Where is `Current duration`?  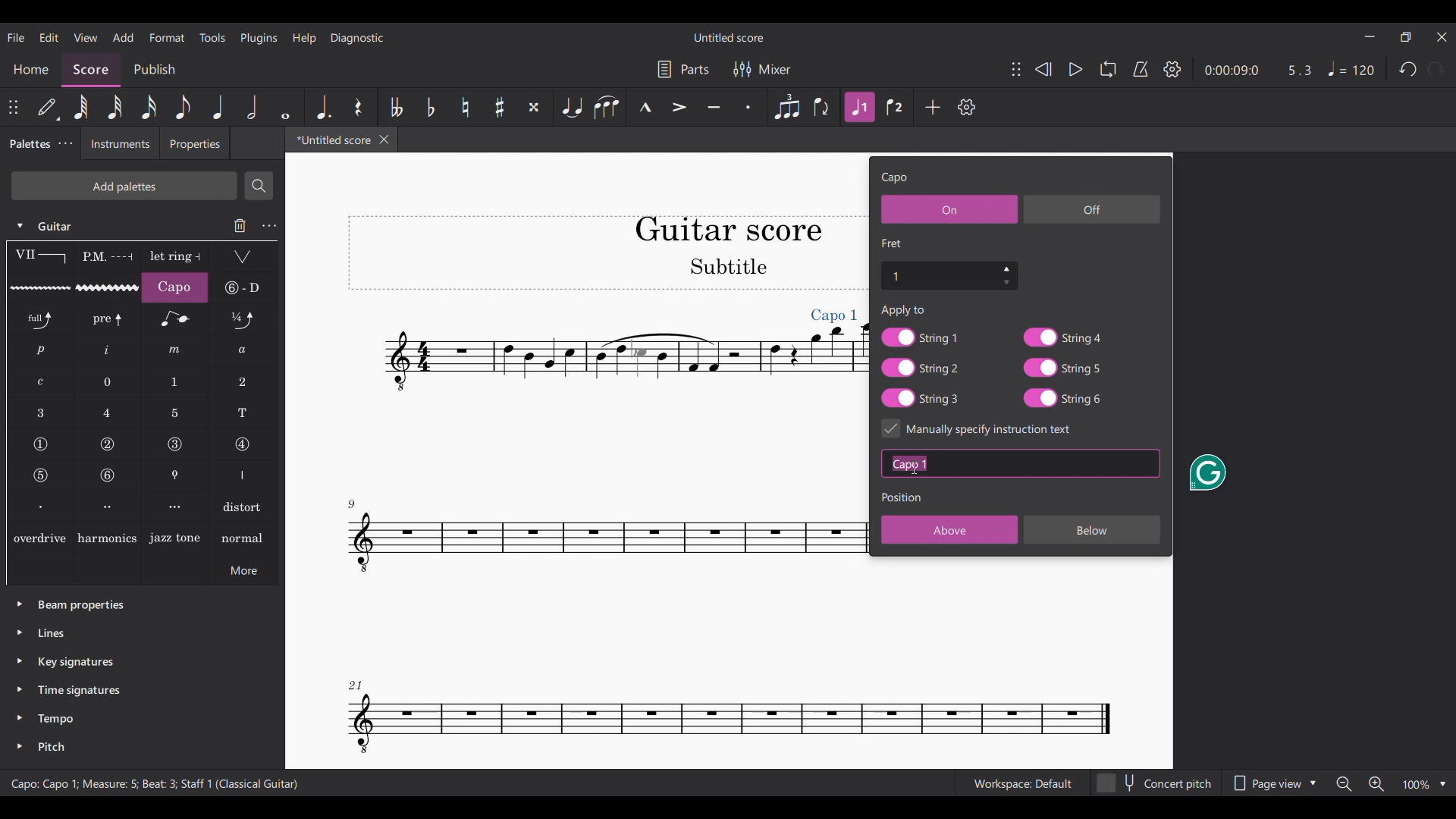 Current duration is located at coordinates (1232, 69).